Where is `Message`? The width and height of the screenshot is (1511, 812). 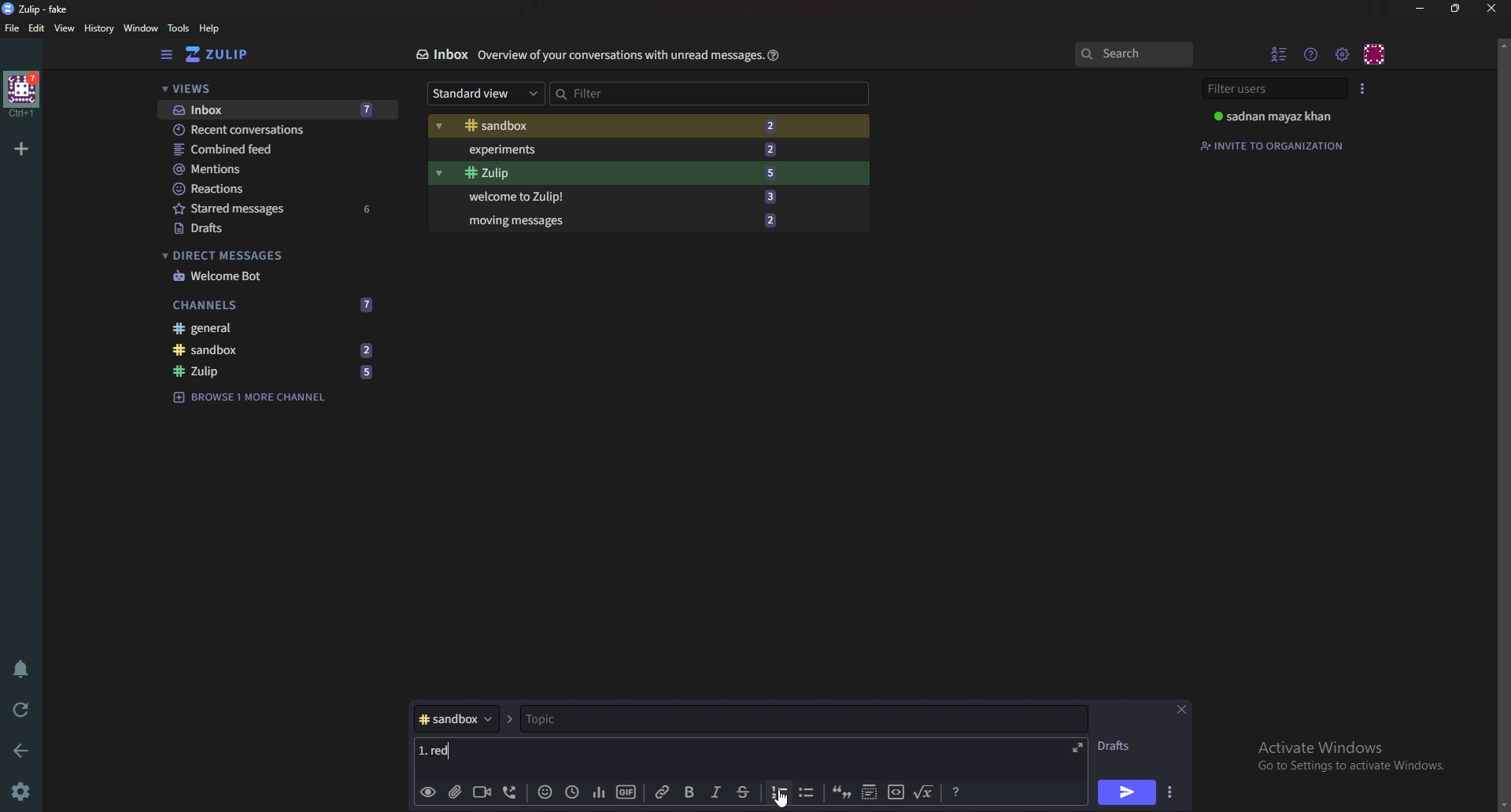 Message is located at coordinates (449, 752).